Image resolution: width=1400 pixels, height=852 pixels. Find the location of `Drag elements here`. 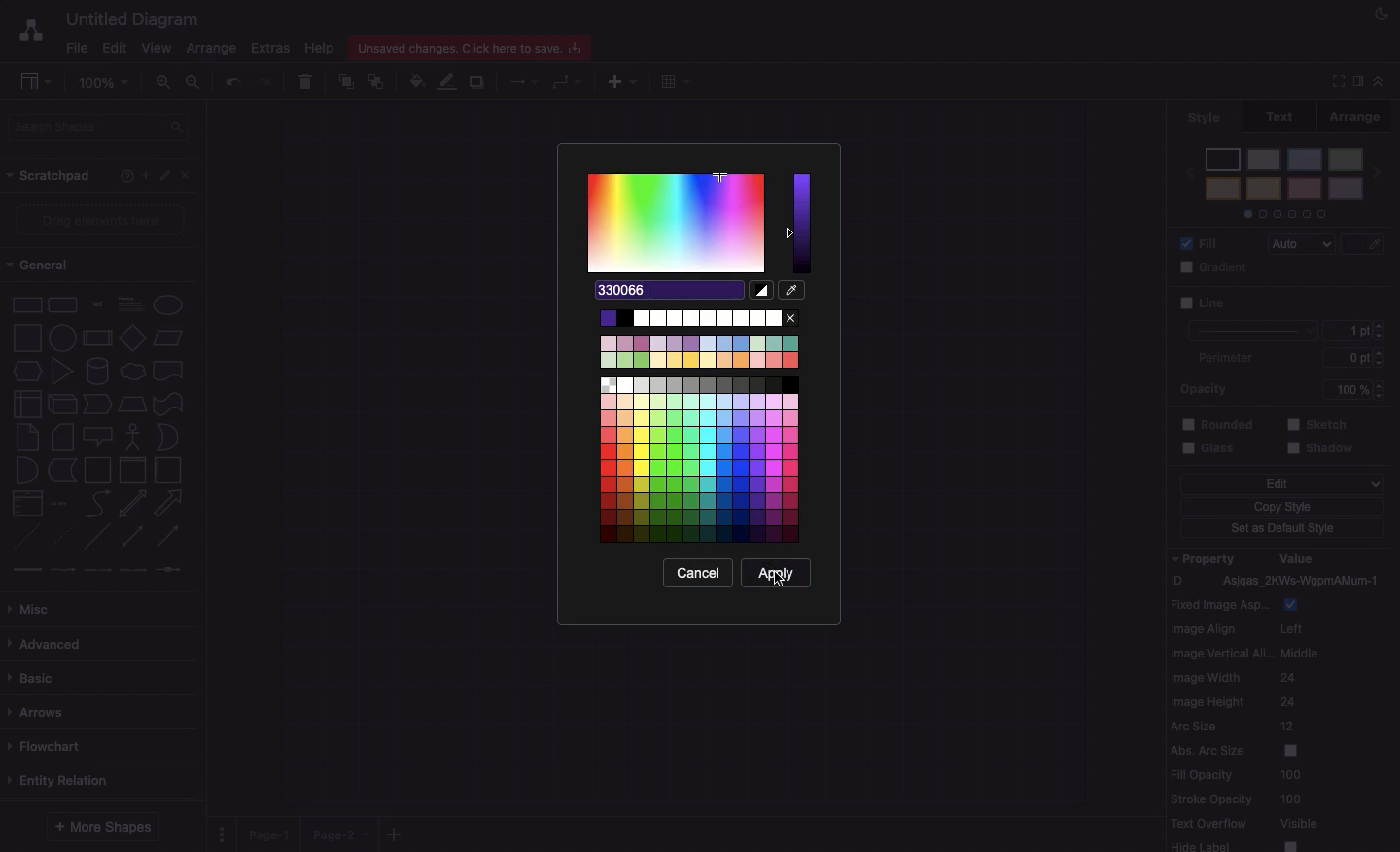

Drag elements here is located at coordinates (102, 221).